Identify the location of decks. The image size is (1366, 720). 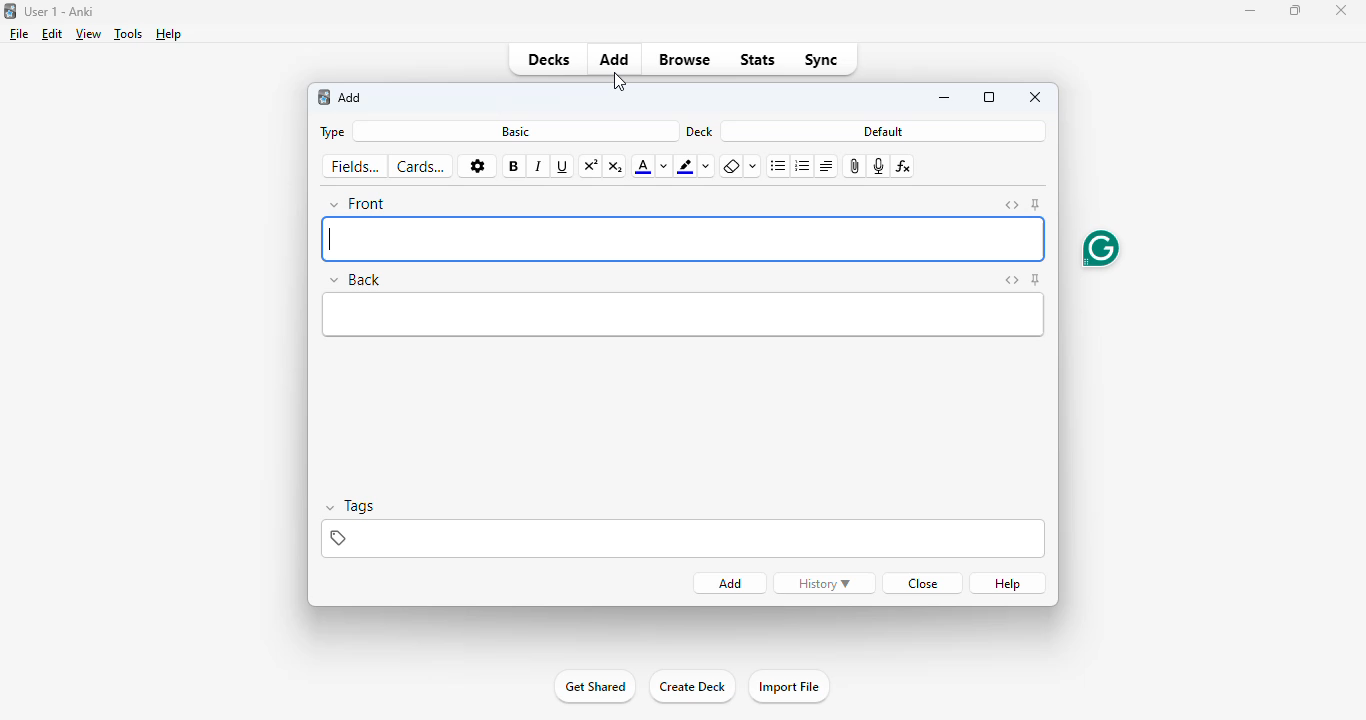
(548, 59).